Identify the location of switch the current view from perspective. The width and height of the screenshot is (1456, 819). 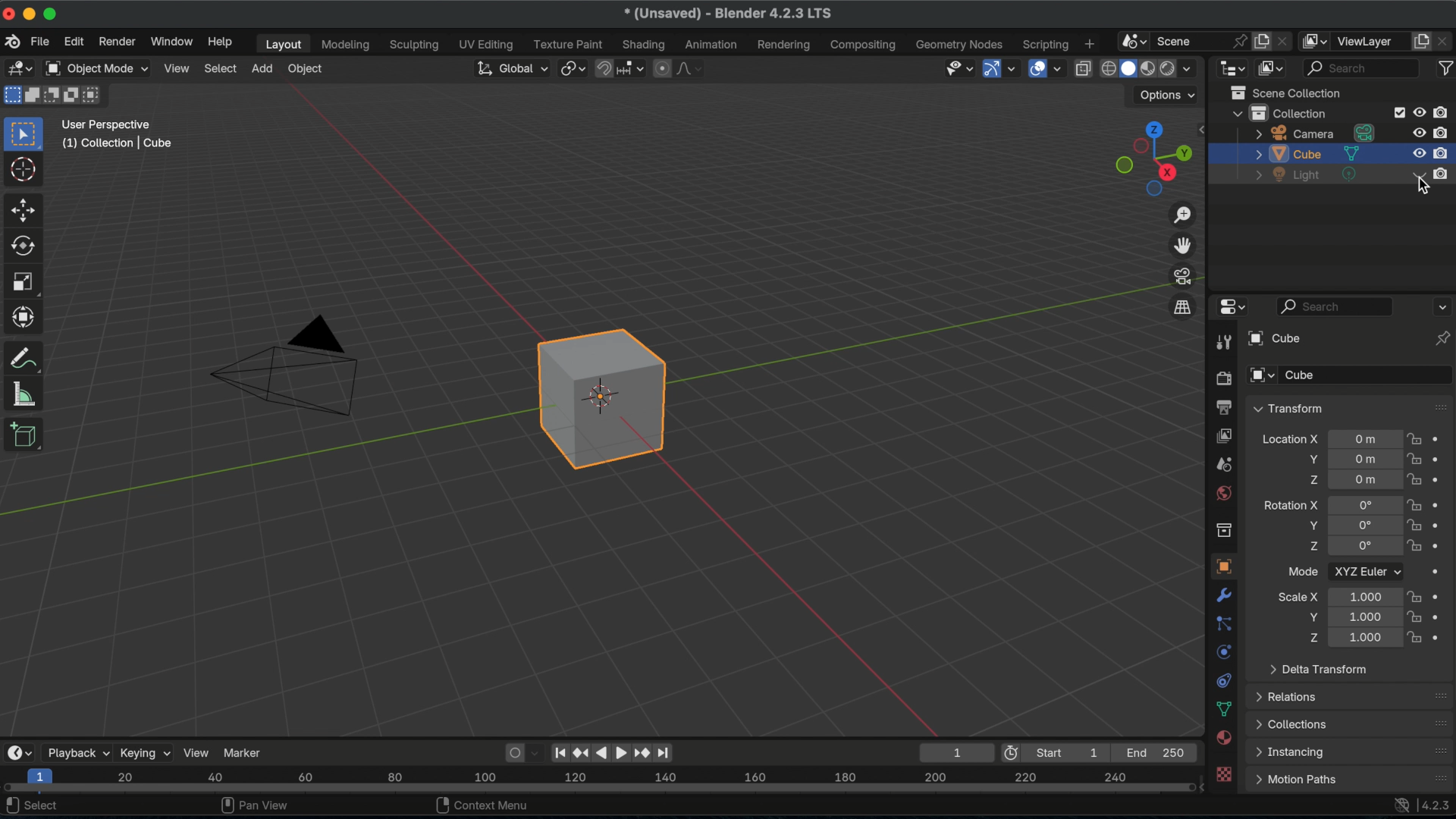
(1184, 306).